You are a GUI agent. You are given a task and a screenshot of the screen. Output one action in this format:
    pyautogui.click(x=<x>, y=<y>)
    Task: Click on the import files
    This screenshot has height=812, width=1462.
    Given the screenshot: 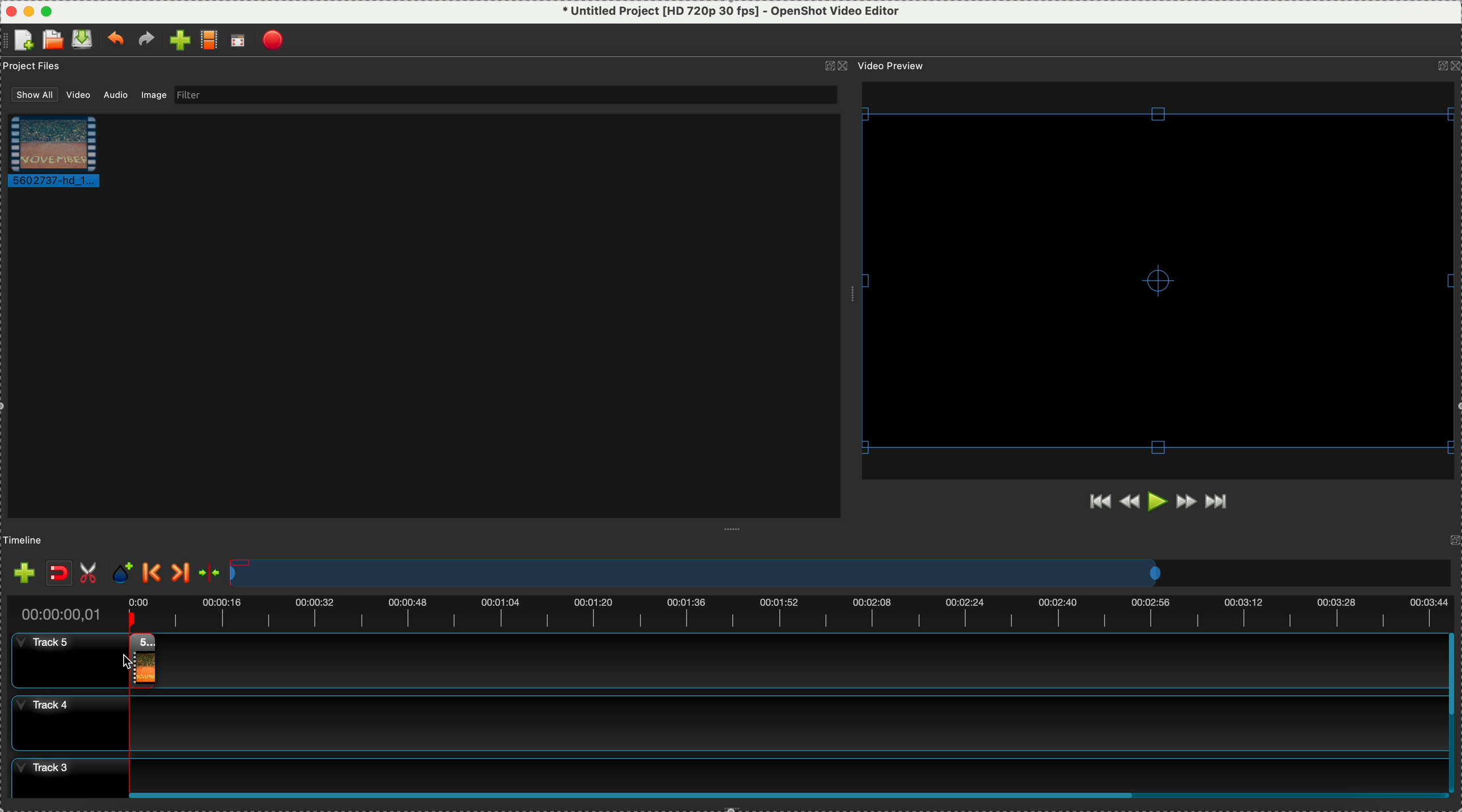 What is the action you would take?
    pyautogui.click(x=21, y=570)
    